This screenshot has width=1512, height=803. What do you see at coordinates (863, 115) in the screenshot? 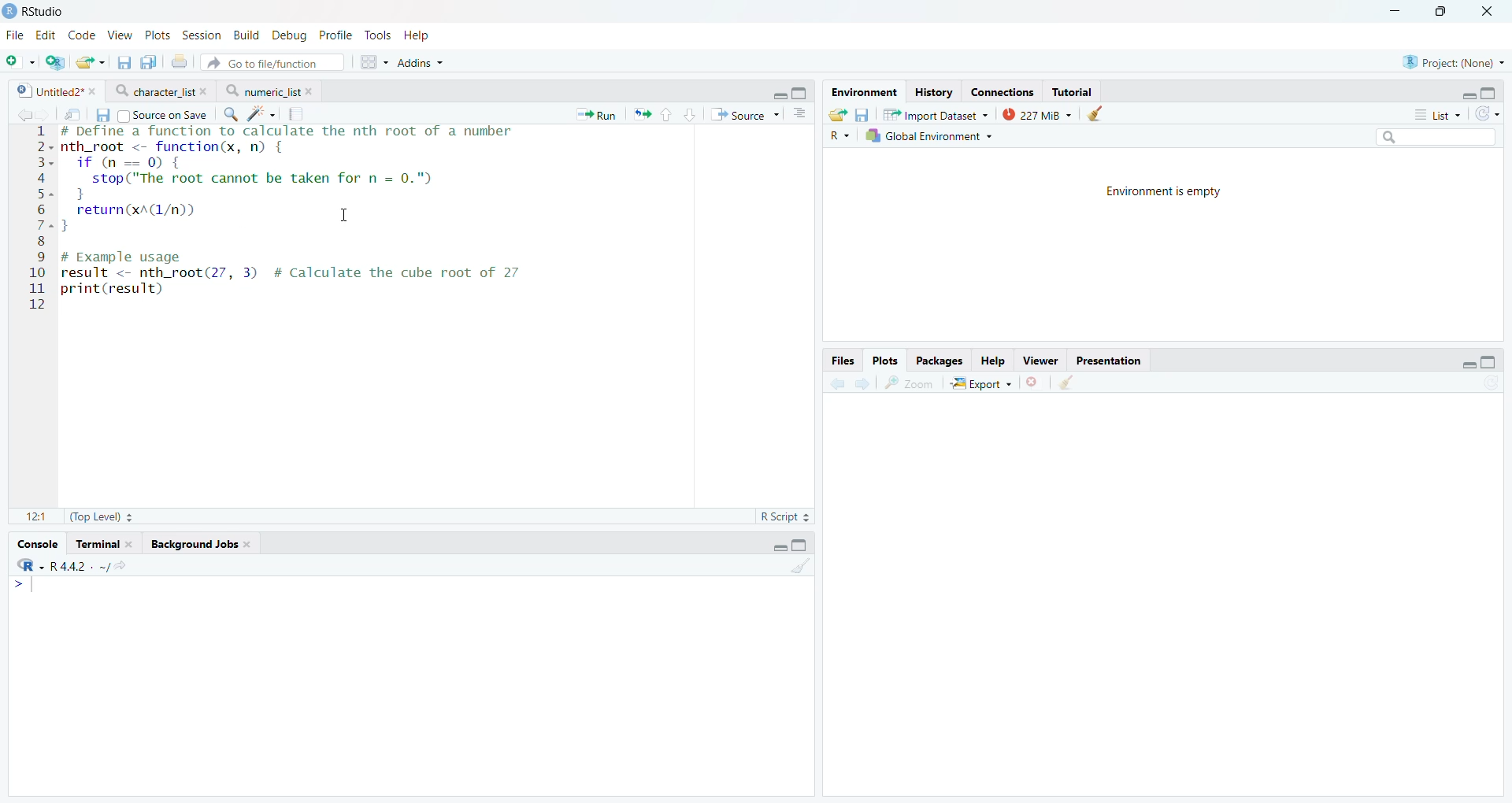
I see `Save` at bounding box center [863, 115].